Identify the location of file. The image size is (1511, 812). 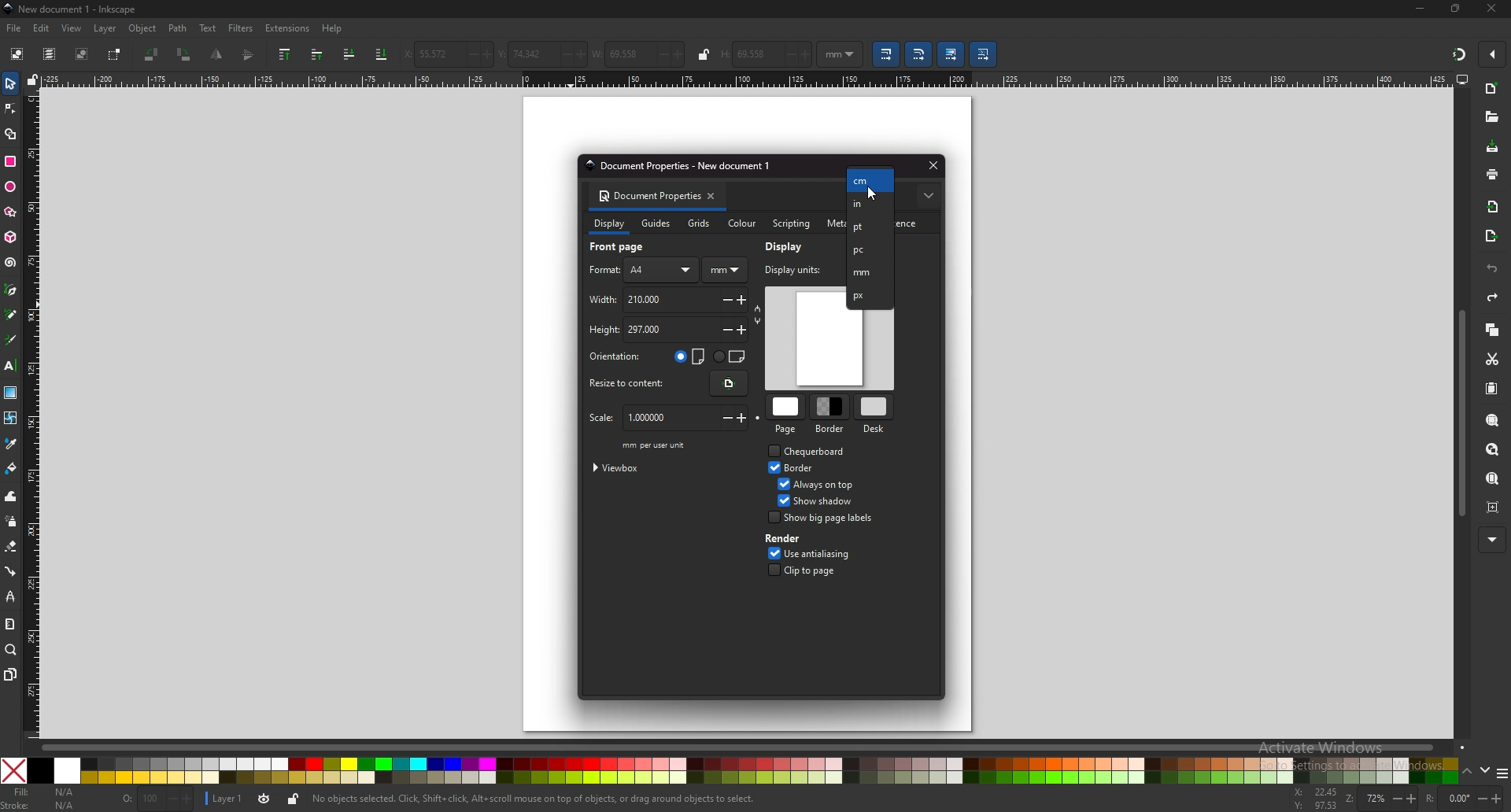
(15, 29).